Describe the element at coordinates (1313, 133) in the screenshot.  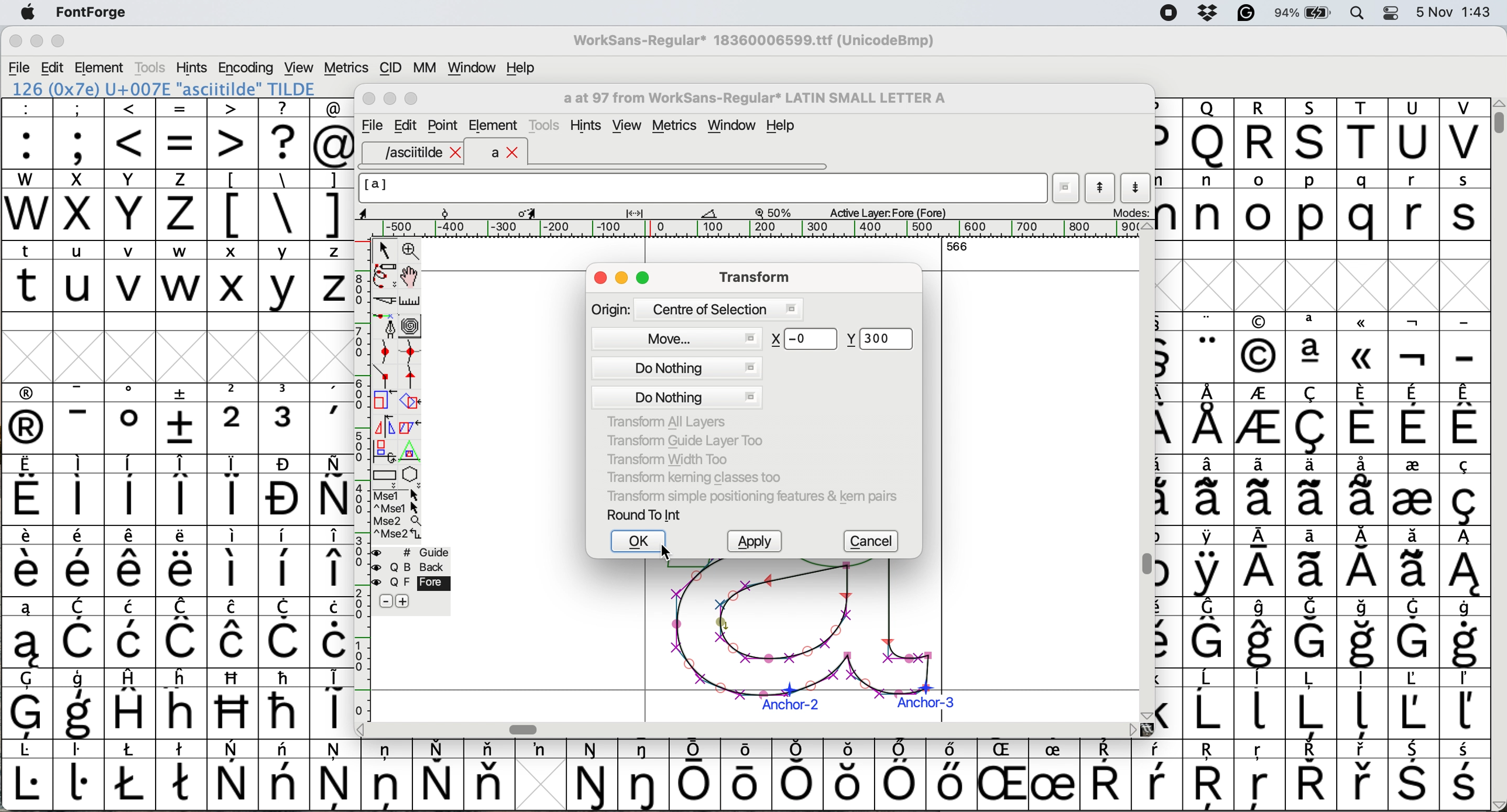
I see `` at that location.